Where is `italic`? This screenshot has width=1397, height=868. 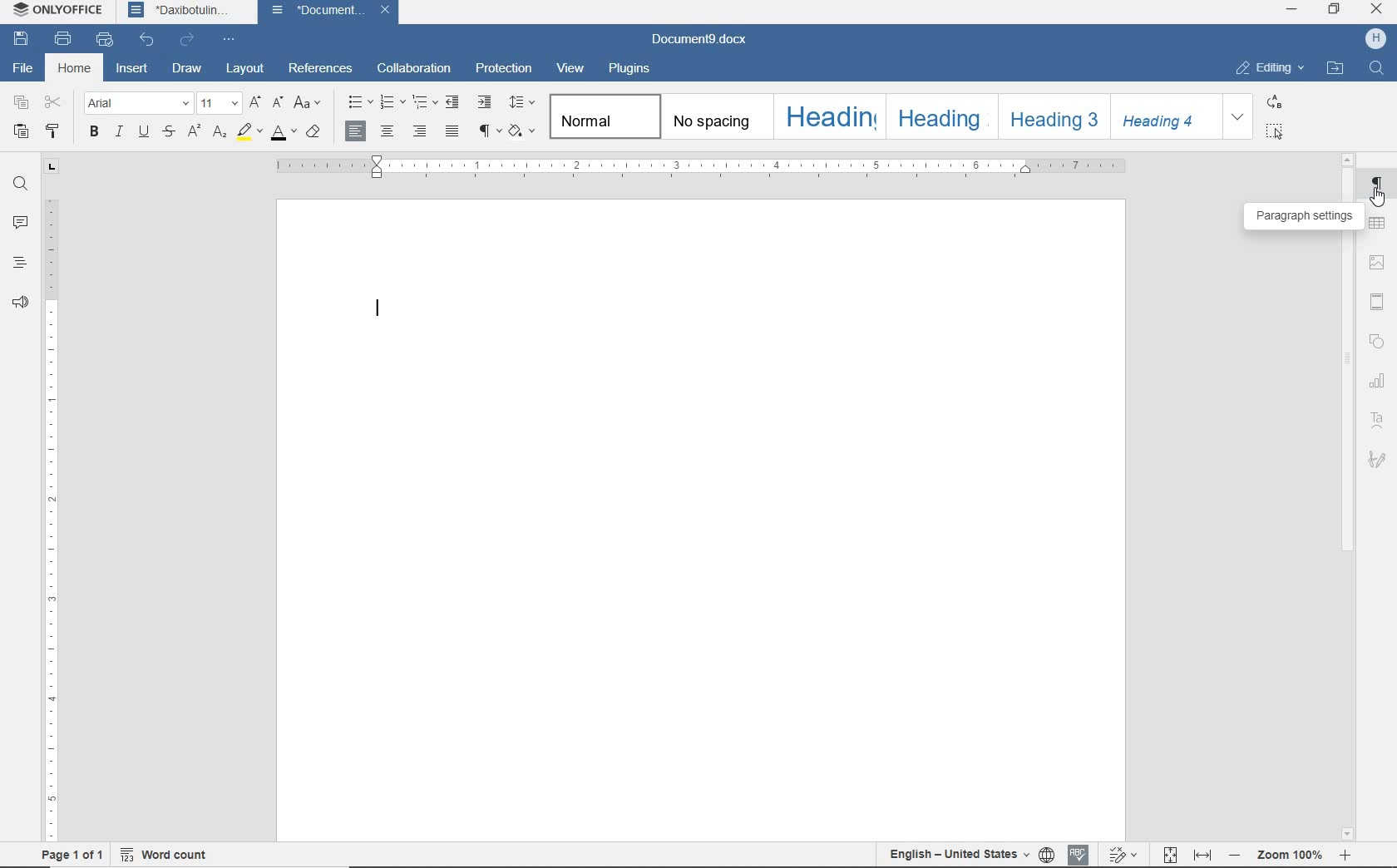
italic is located at coordinates (120, 133).